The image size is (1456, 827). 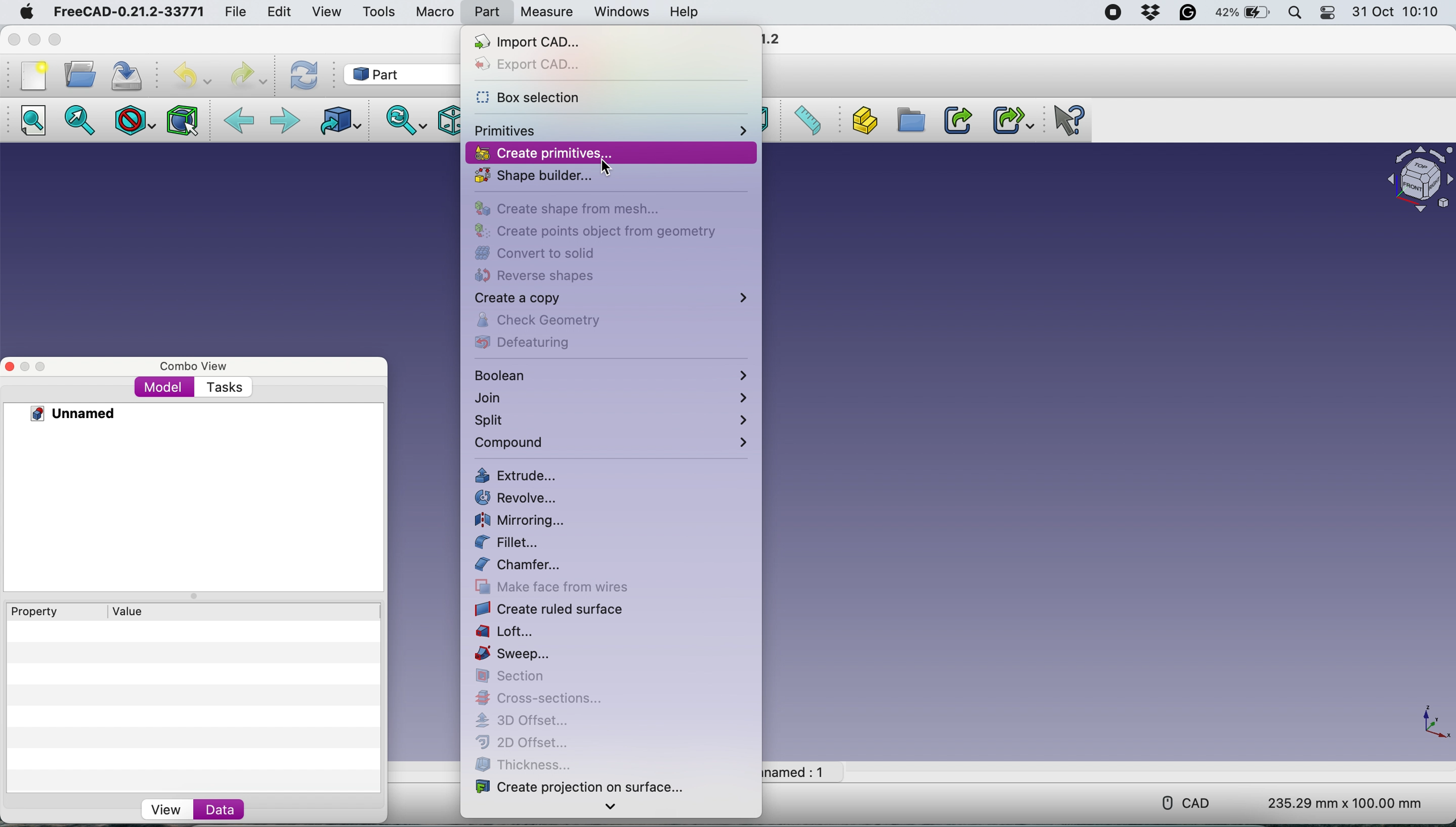 What do you see at coordinates (240, 119) in the screenshot?
I see `Backward` at bounding box center [240, 119].